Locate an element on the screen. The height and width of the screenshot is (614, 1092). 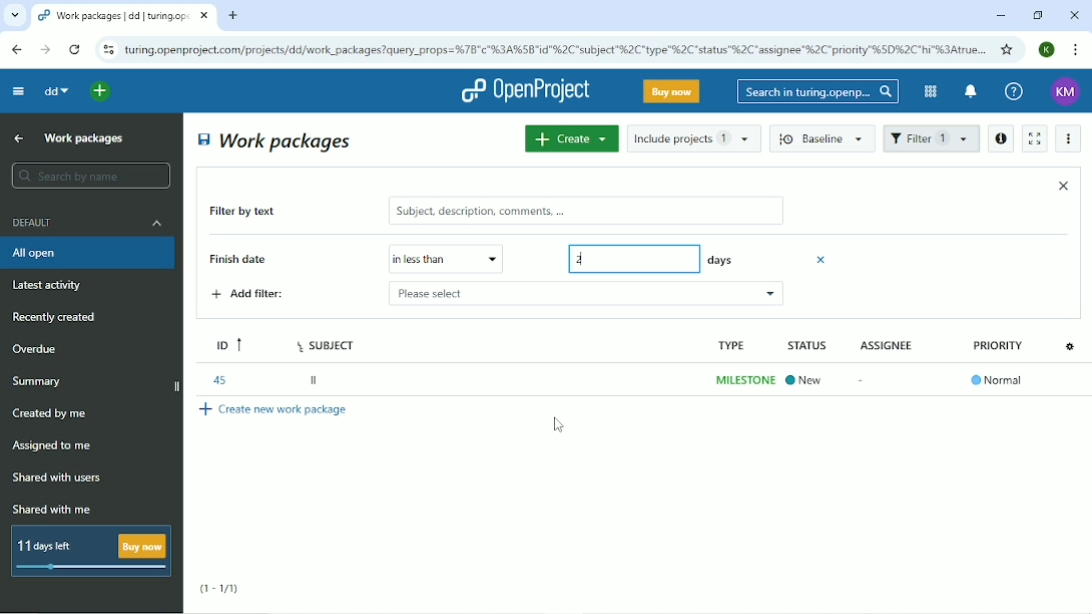
Overdue is located at coordinates (37, 350).